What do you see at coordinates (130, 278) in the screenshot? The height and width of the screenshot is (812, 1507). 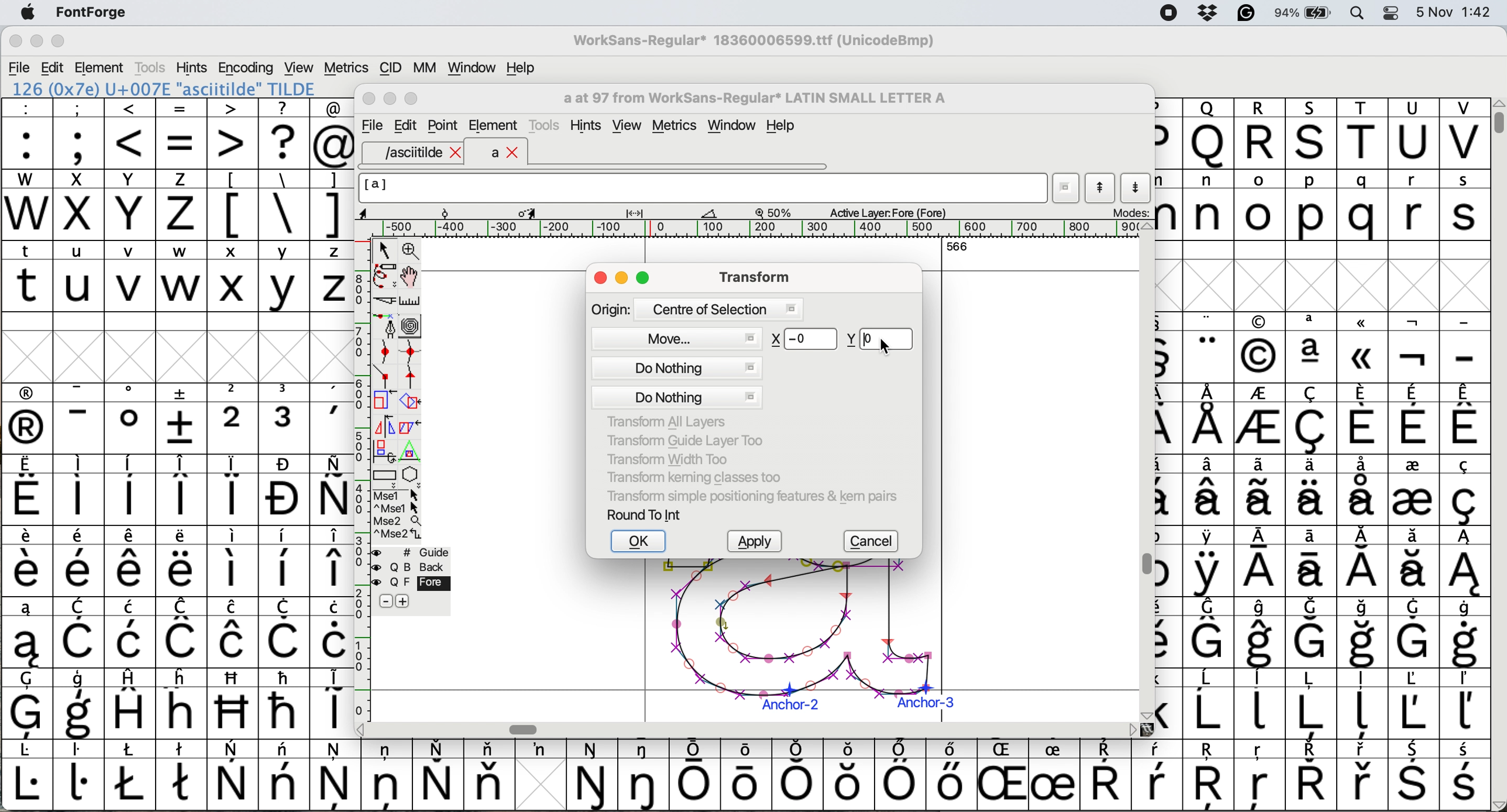 I see `v` at bounding box center [130, 278].